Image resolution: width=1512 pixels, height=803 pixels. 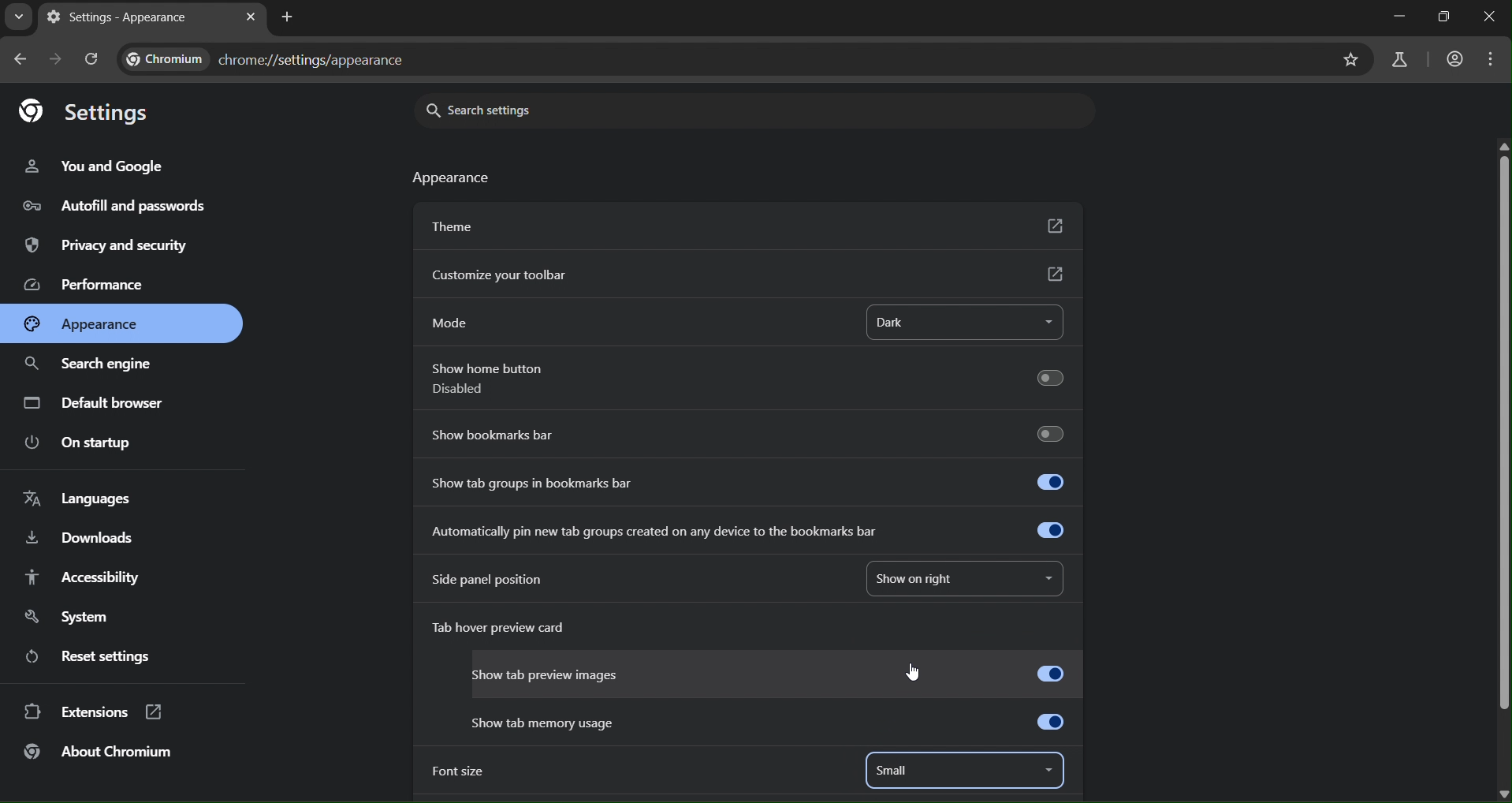 What do you see at coordinates (286, 20) in the screenshot?
I see `new tab` at bounding box center [286, 20].